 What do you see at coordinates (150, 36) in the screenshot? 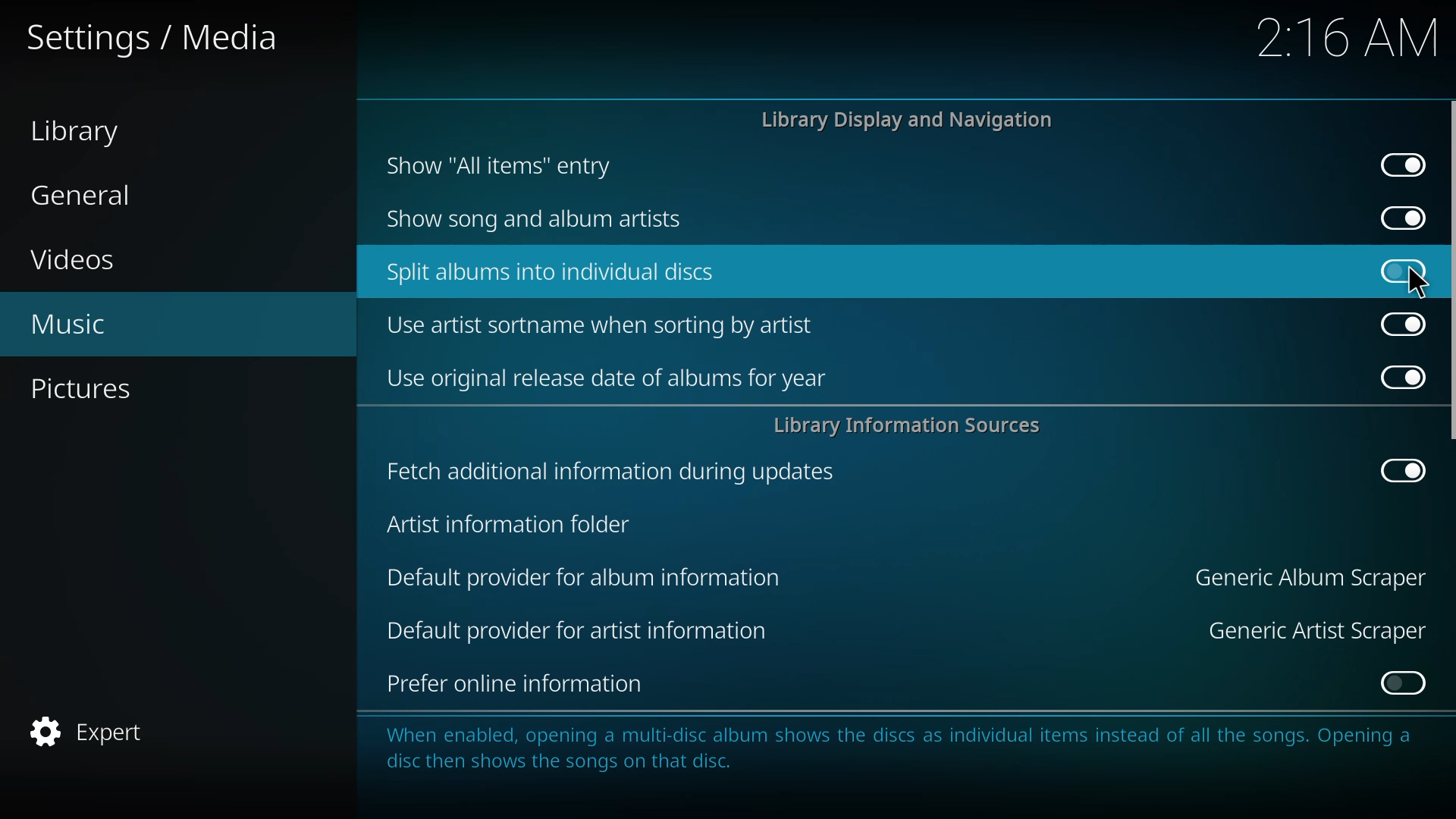
I see `settings media` at bounding box center [150, 36].